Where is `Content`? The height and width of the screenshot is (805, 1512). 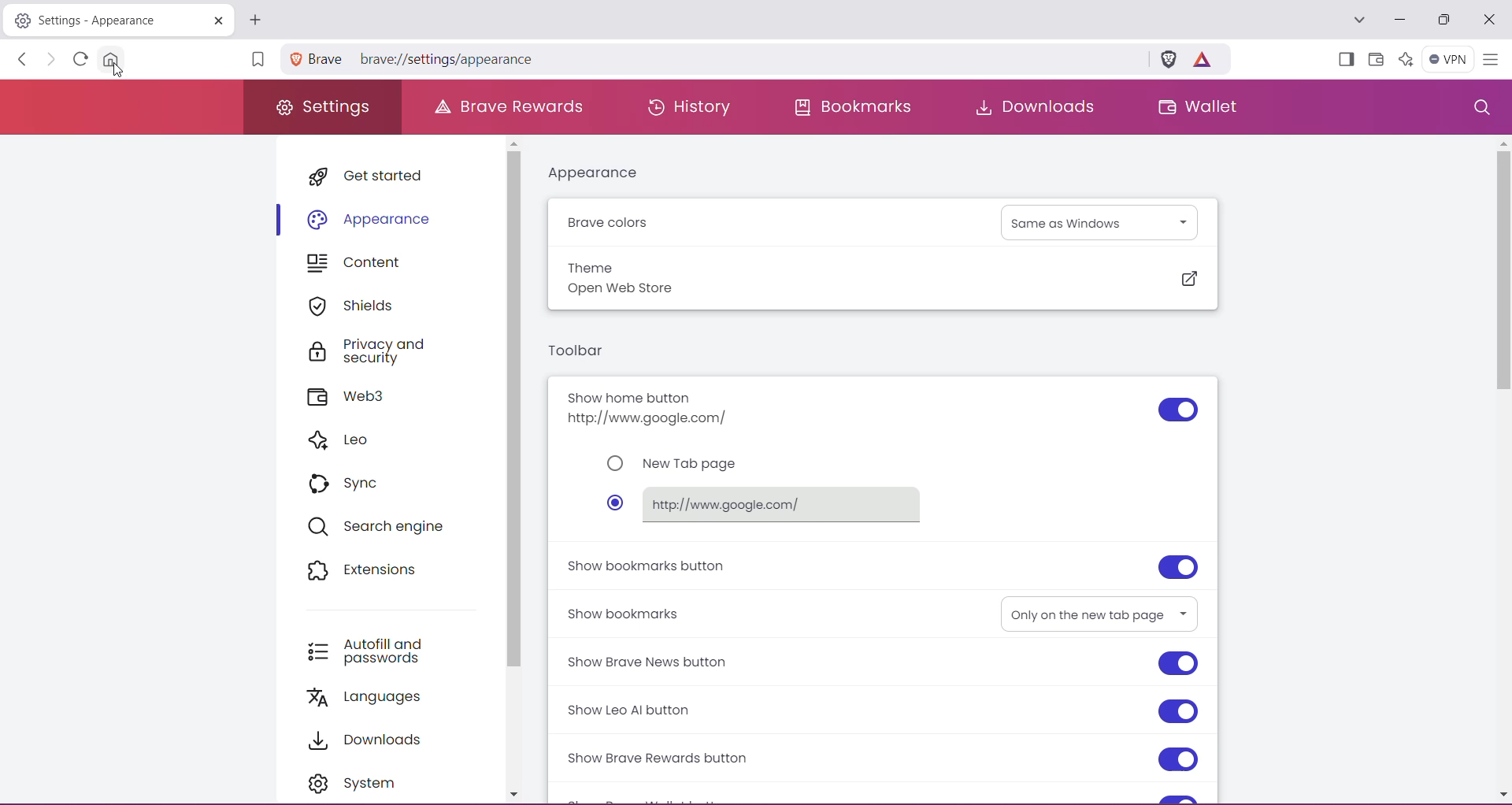 Content is located at coordinates (363, 264).